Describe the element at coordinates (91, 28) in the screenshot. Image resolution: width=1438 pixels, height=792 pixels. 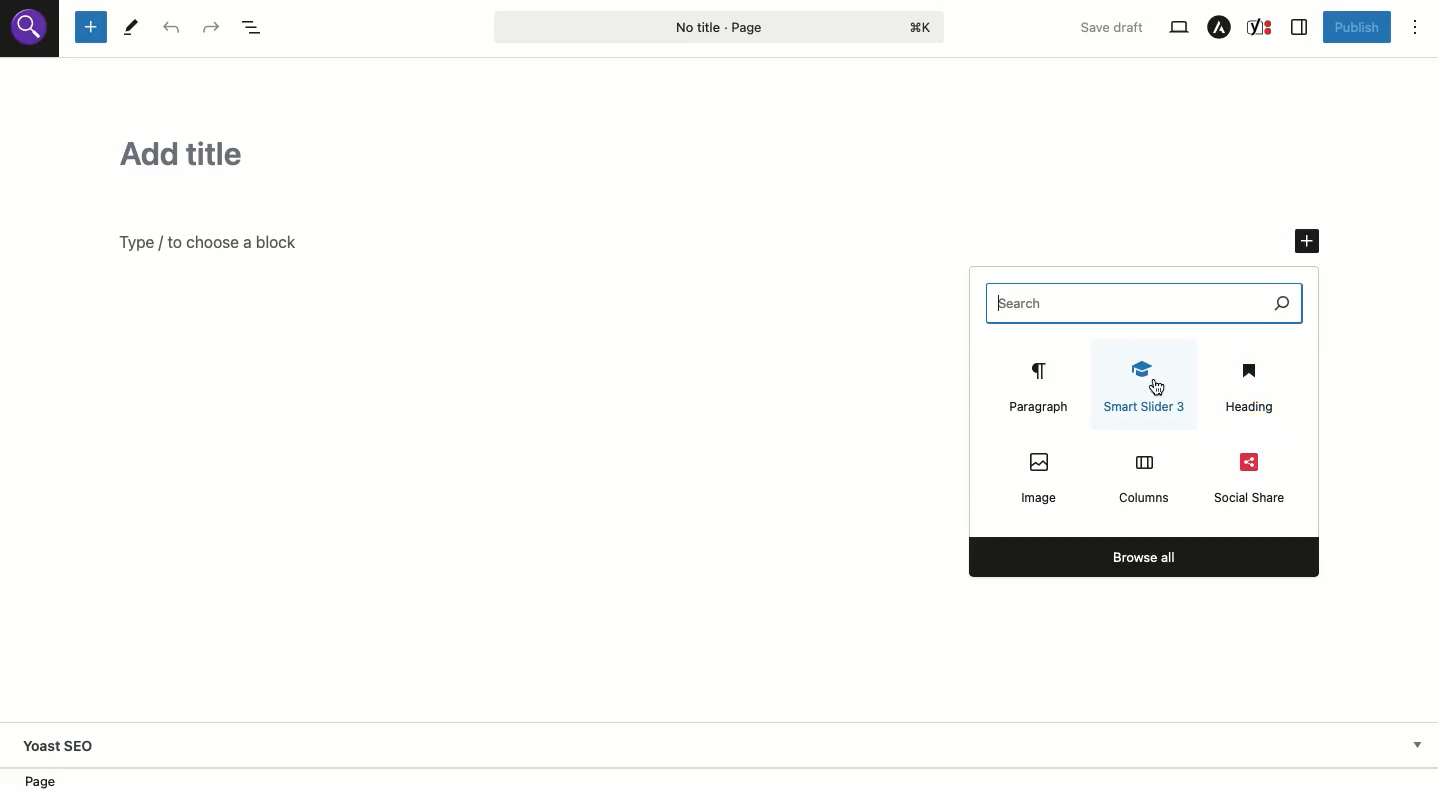
I see `Add block` at that location.